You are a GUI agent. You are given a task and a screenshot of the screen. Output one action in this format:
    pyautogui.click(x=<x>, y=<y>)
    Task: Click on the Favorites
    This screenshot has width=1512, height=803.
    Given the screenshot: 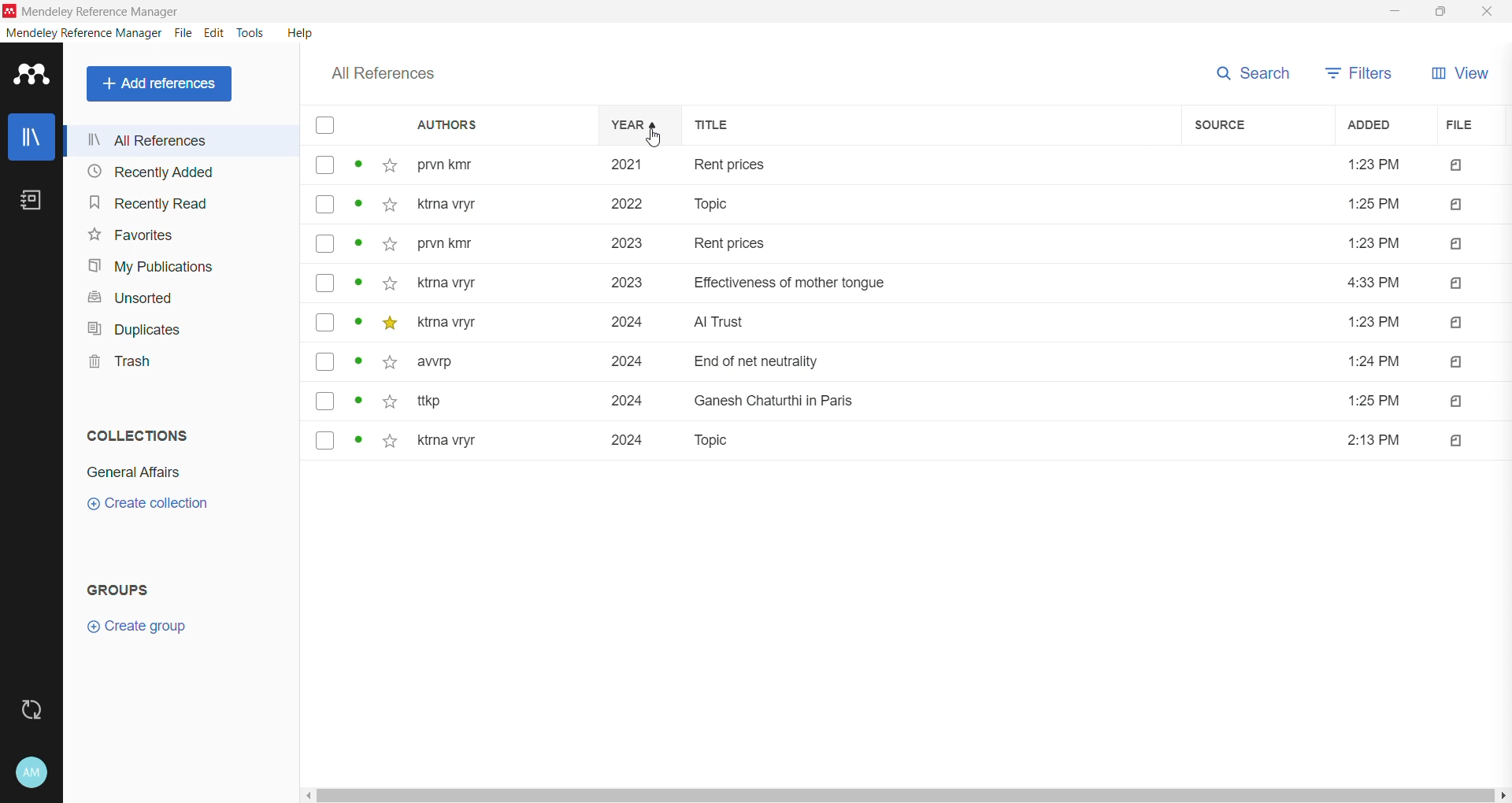 What is the action you would take?
    pyautogui.click(x=126, y=235)
    